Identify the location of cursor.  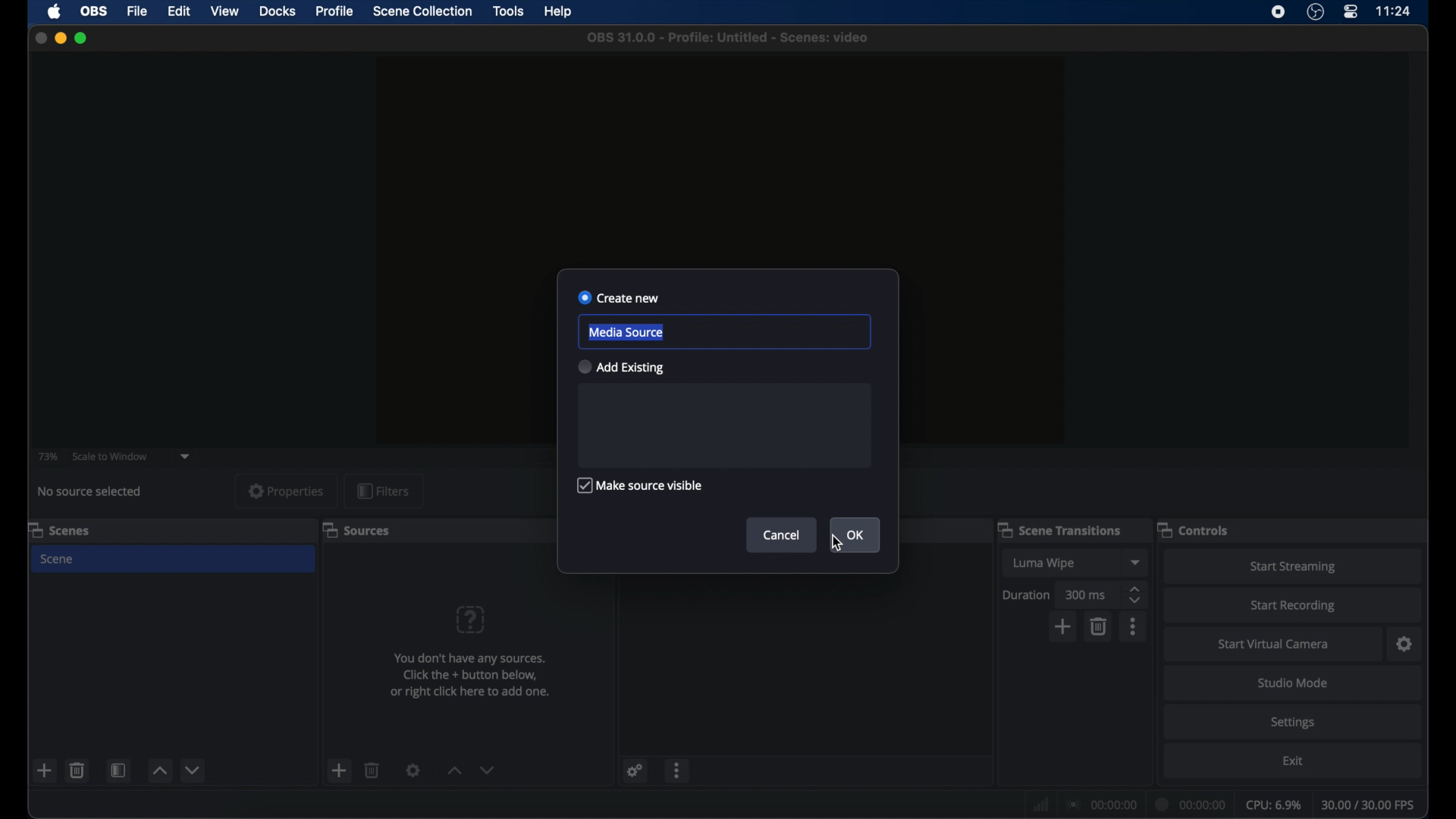
(837, 542).